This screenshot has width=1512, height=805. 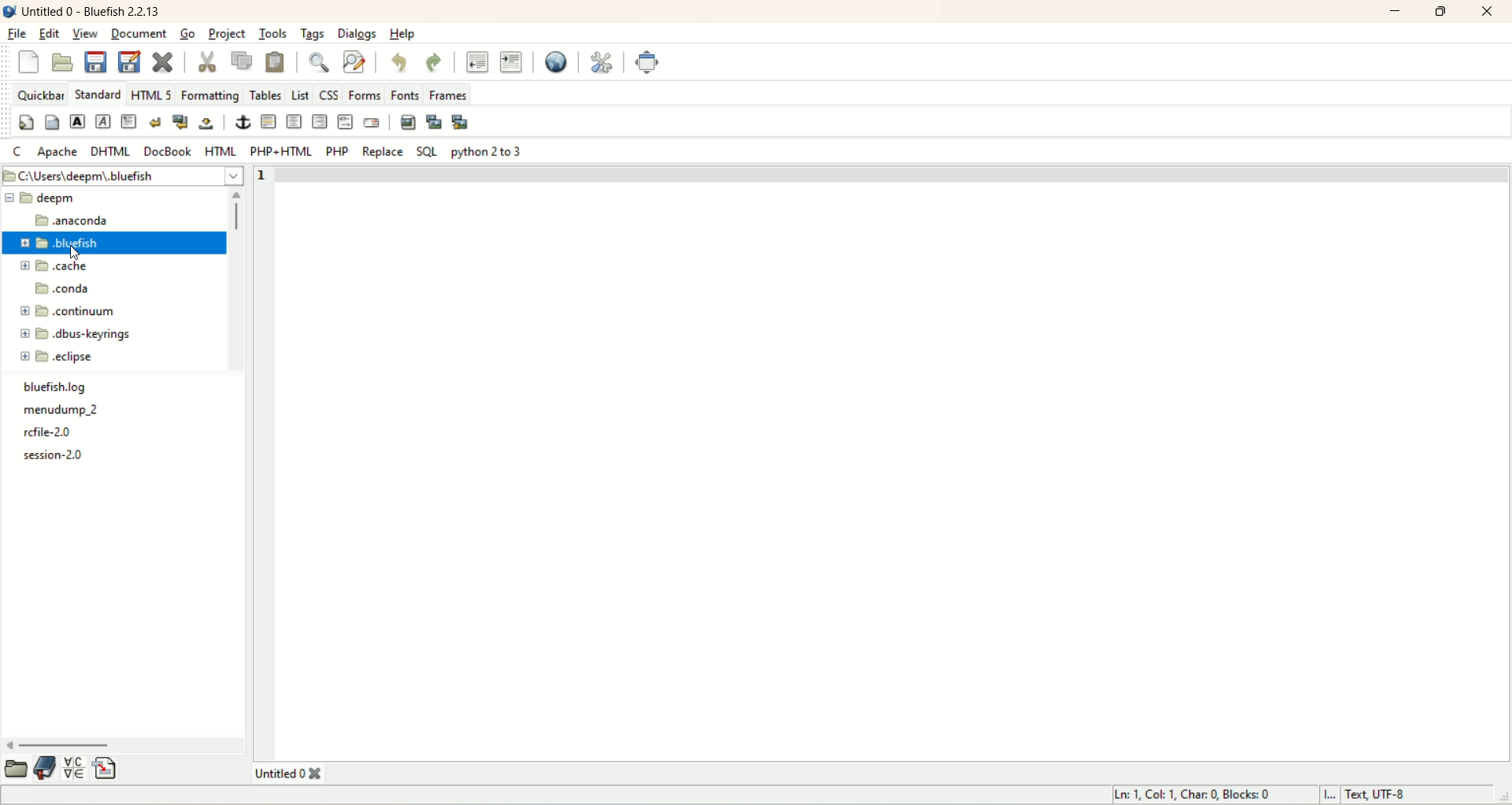 I want to click on vertical scroll bar, so click(x=234, y=276).